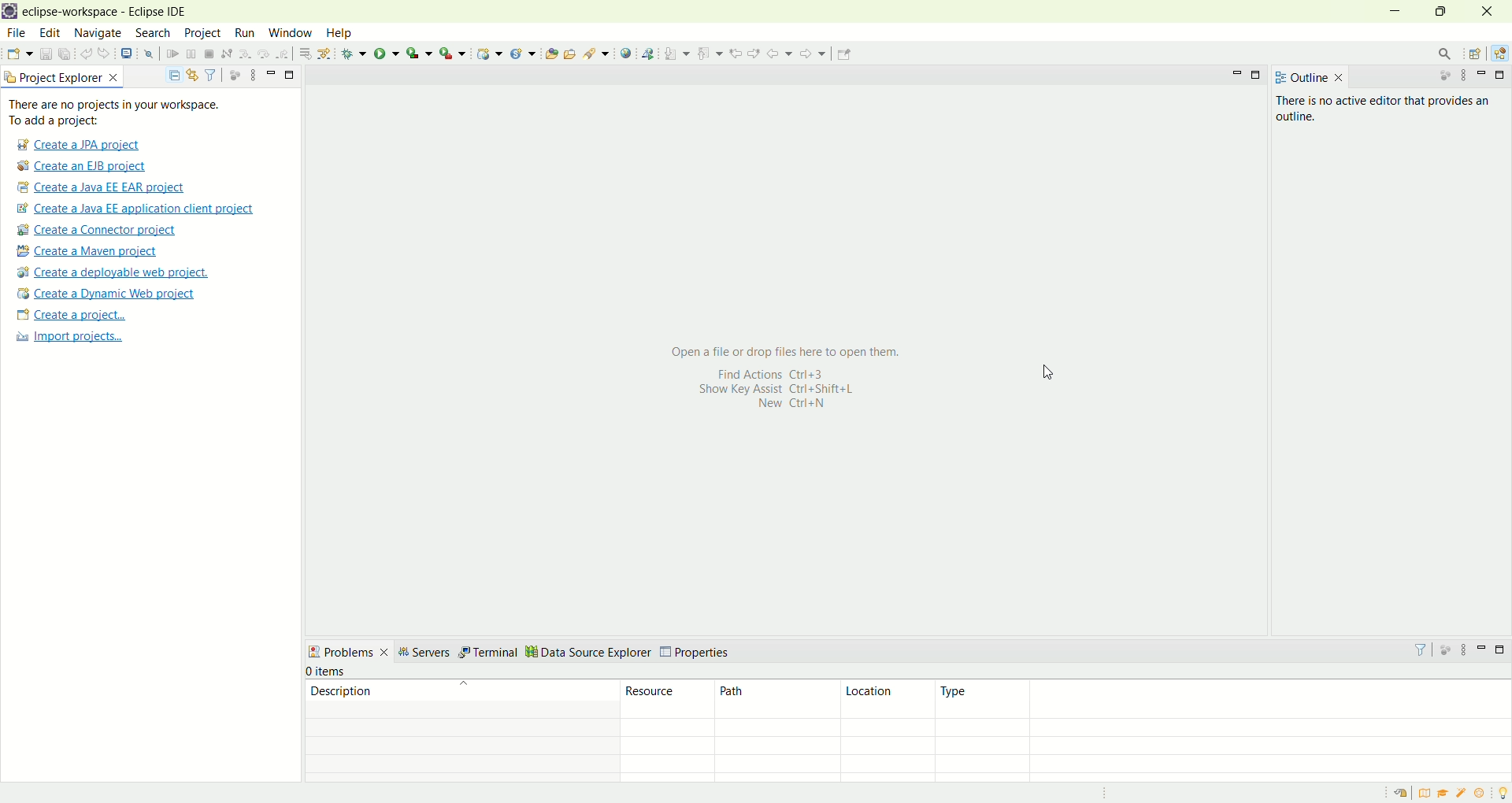 The width and height of the screenshot is (1512, 803). I want to click on skip all breakpoints, so click(148, 55).